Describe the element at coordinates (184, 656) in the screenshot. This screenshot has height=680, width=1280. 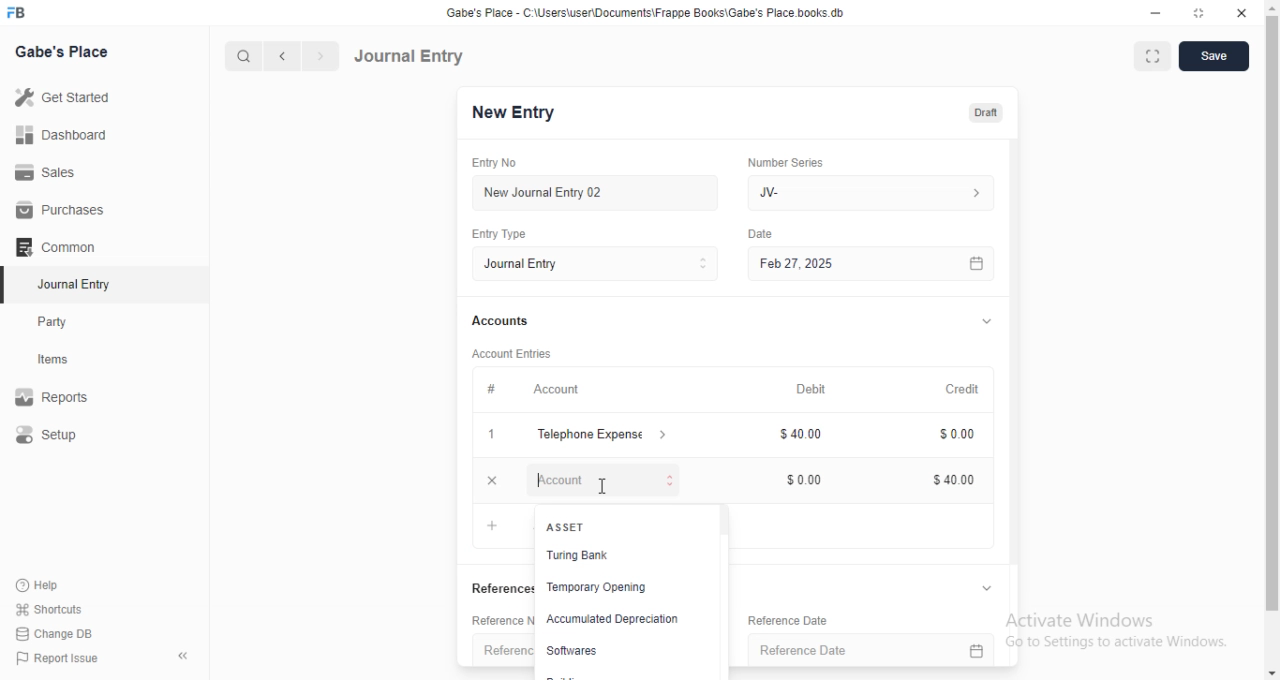
I see `Collapse` at that location.